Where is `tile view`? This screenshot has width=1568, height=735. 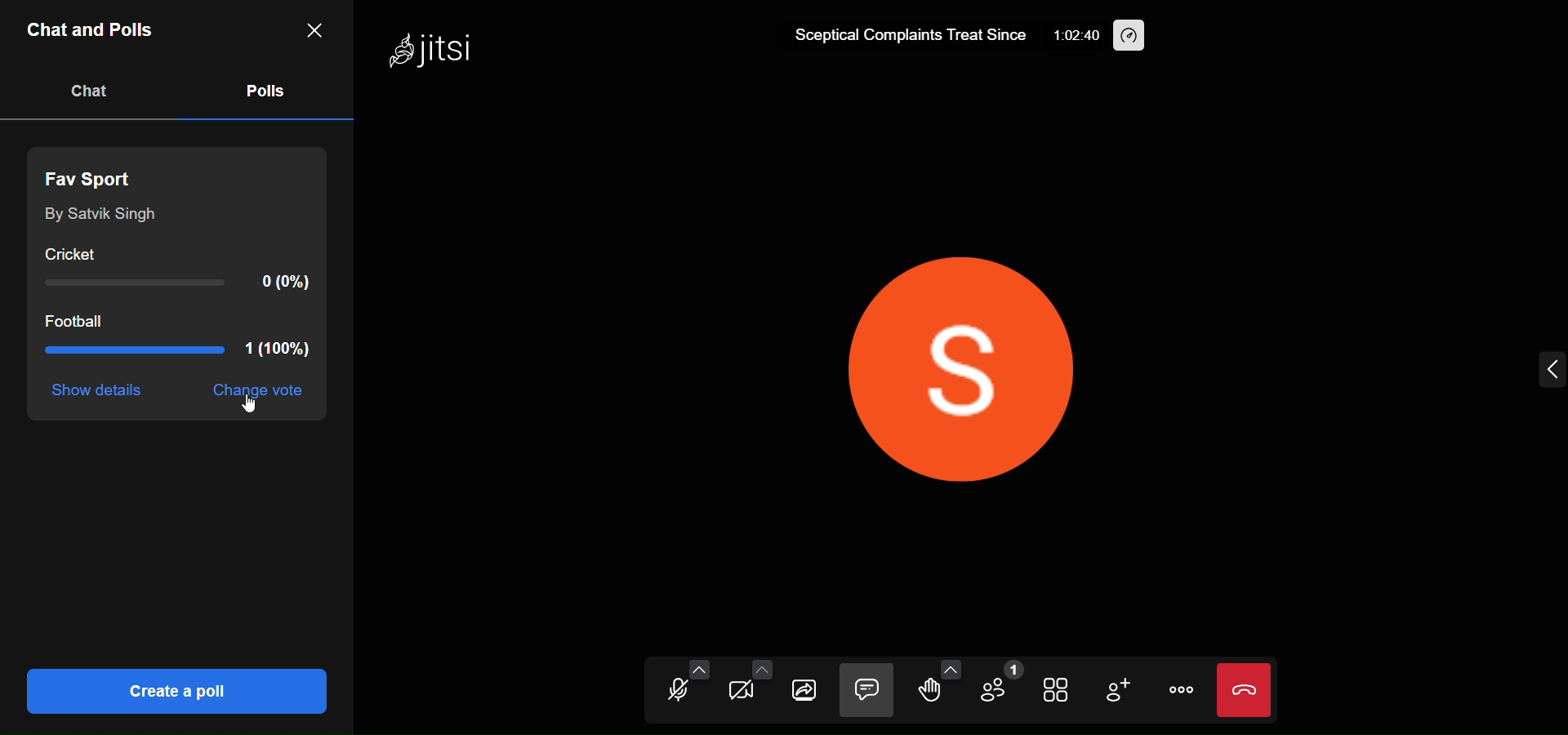
tile view is located at coordinates (1058, 692).